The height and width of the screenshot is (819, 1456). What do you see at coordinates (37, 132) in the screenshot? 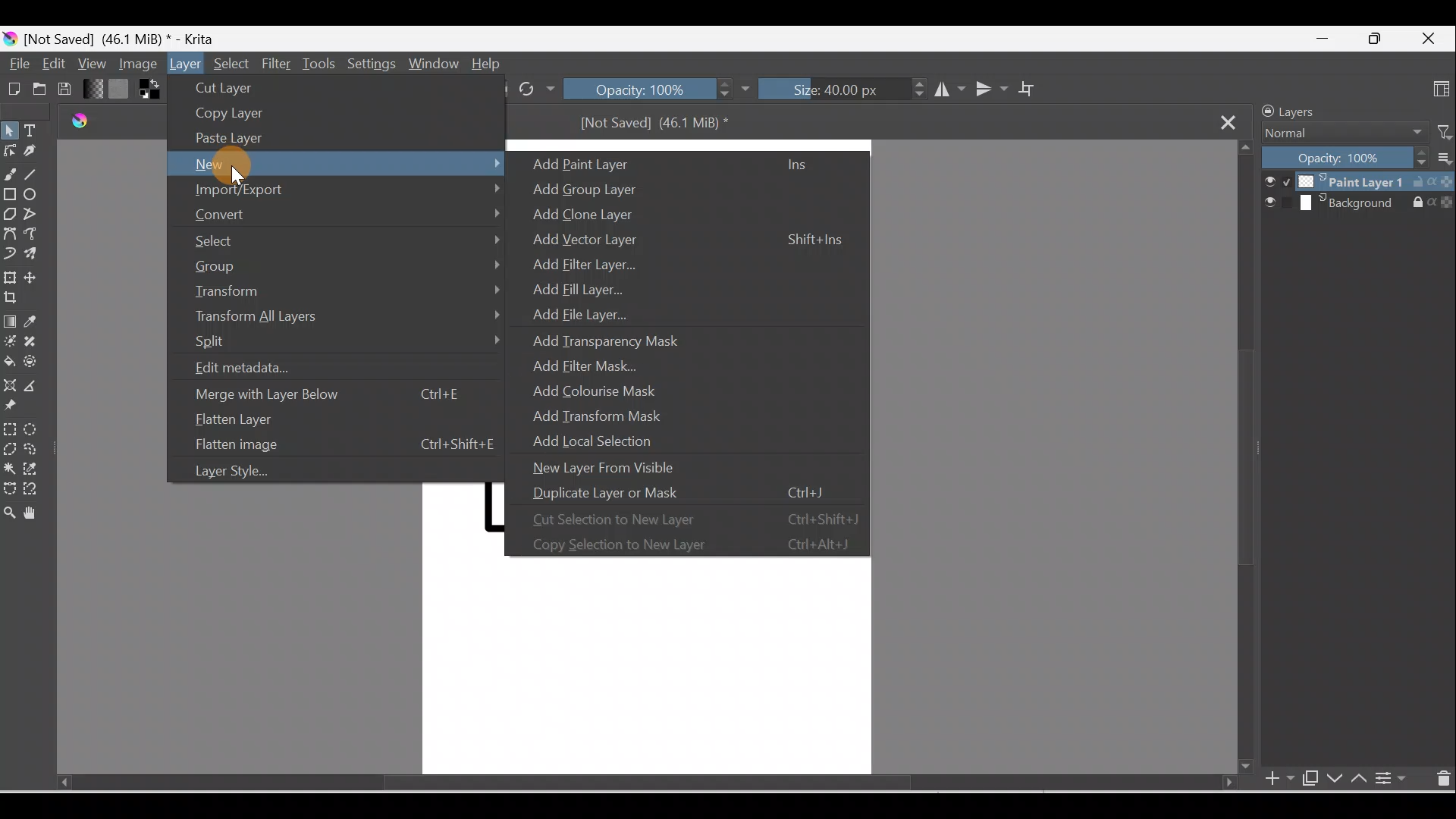
I see `Text tool` at bounding box center [37, 132].